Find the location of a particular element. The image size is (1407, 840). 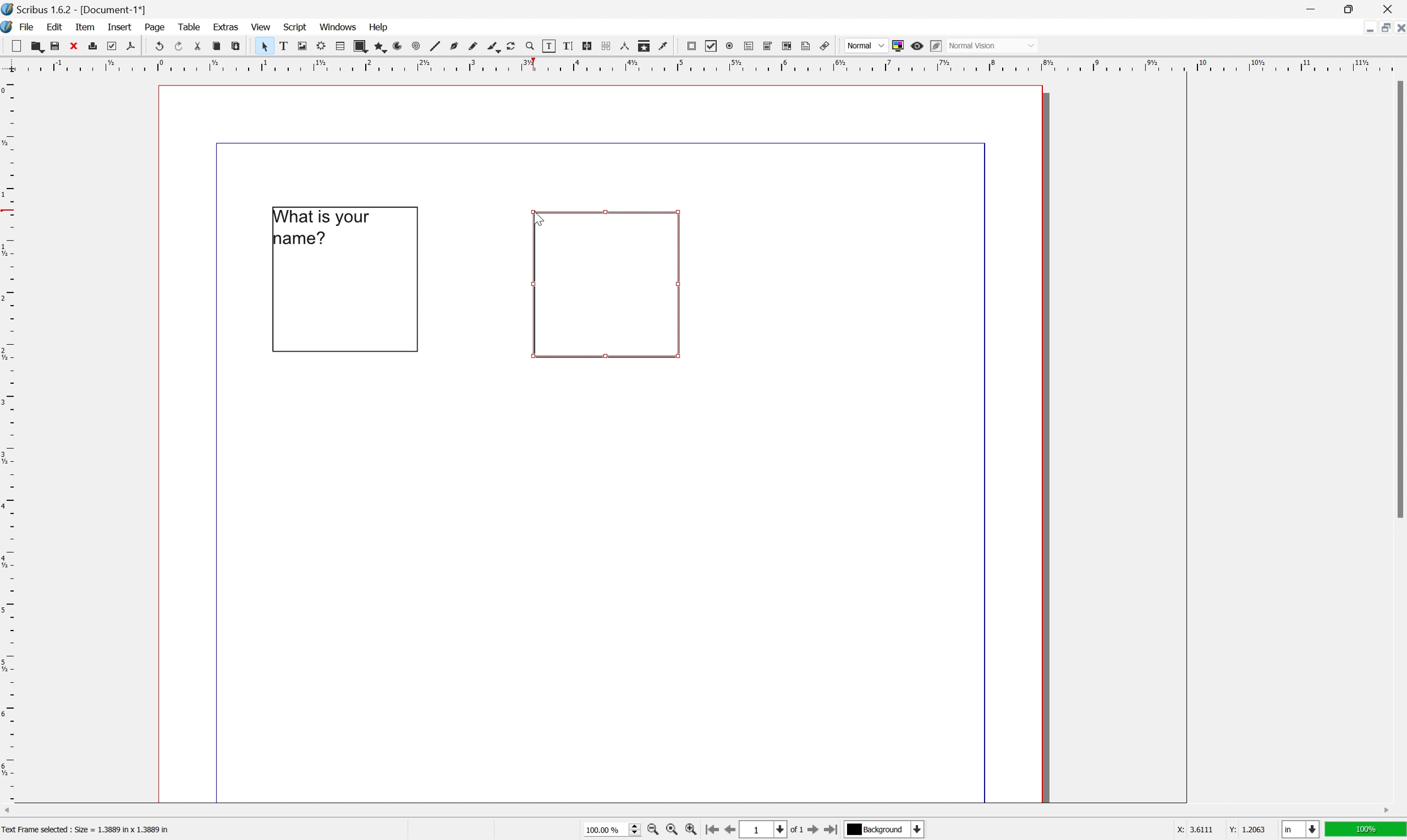

select current page is located at coordinates (774, 830).